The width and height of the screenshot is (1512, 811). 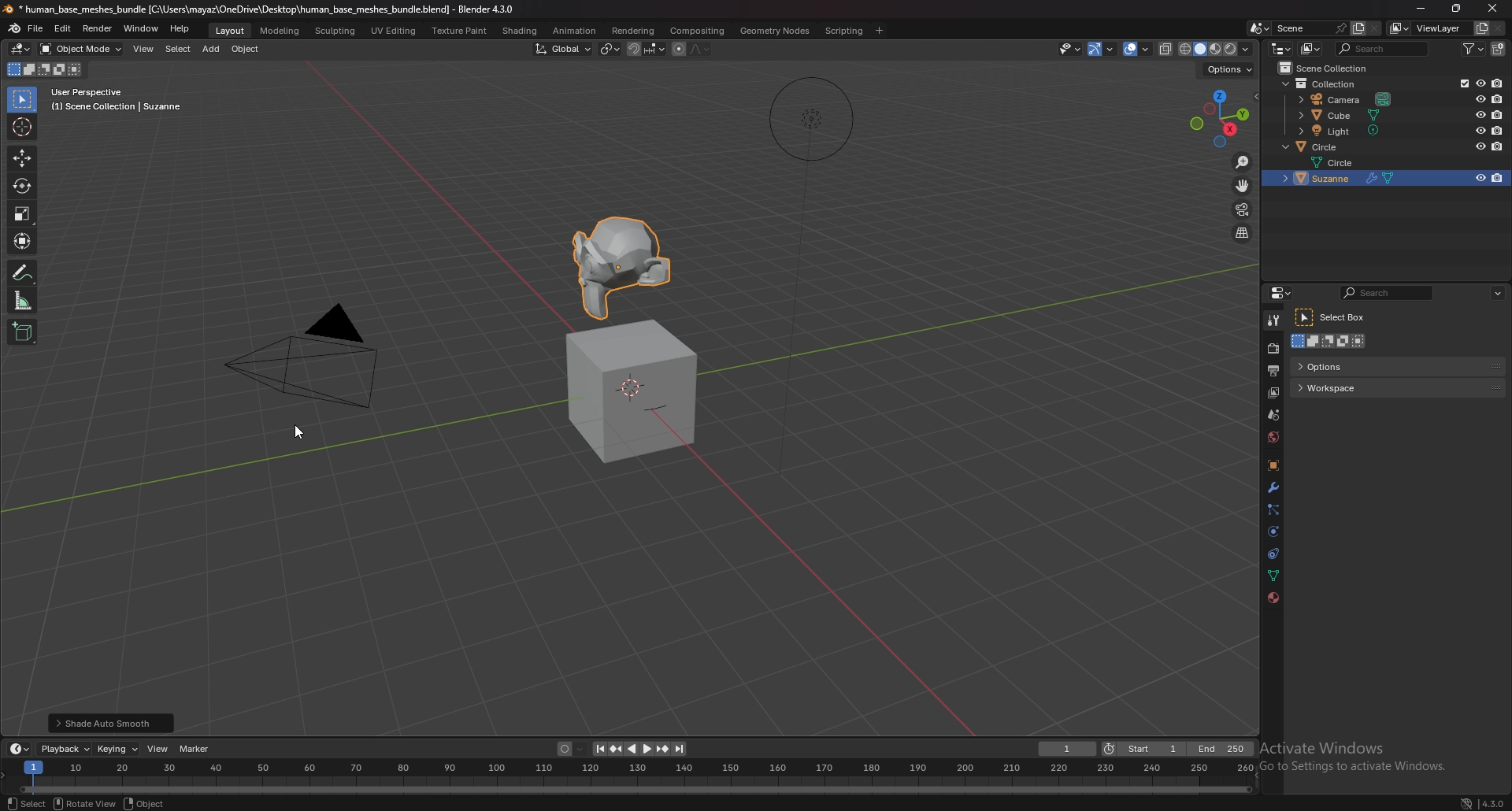 What do you see at coordinates (563, 48) in the screenshot?
I see `transform orientation` at bounding box center [563, 48].